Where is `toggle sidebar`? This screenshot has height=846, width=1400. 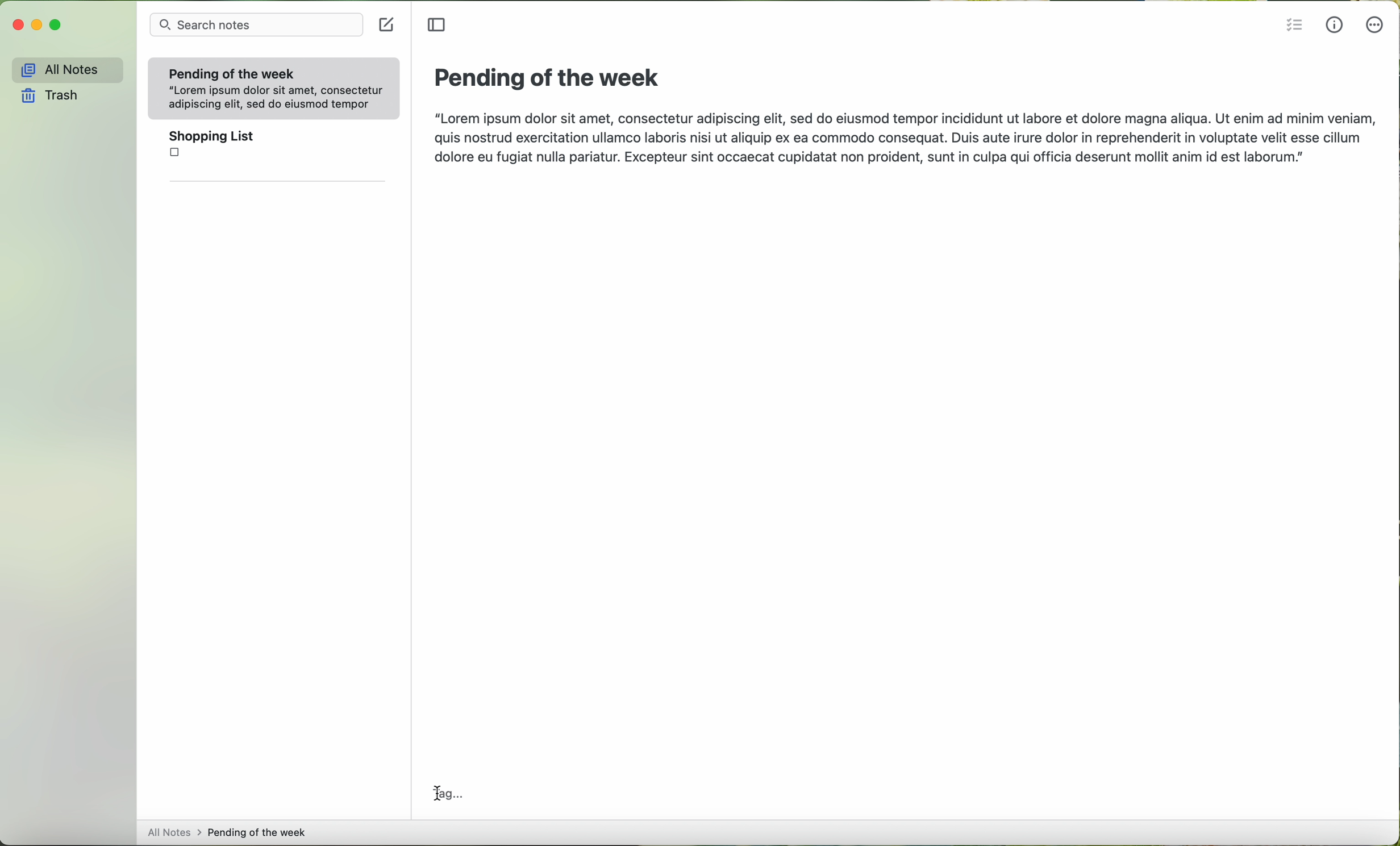 toggle sidebar is located at coordinates (436, 26).